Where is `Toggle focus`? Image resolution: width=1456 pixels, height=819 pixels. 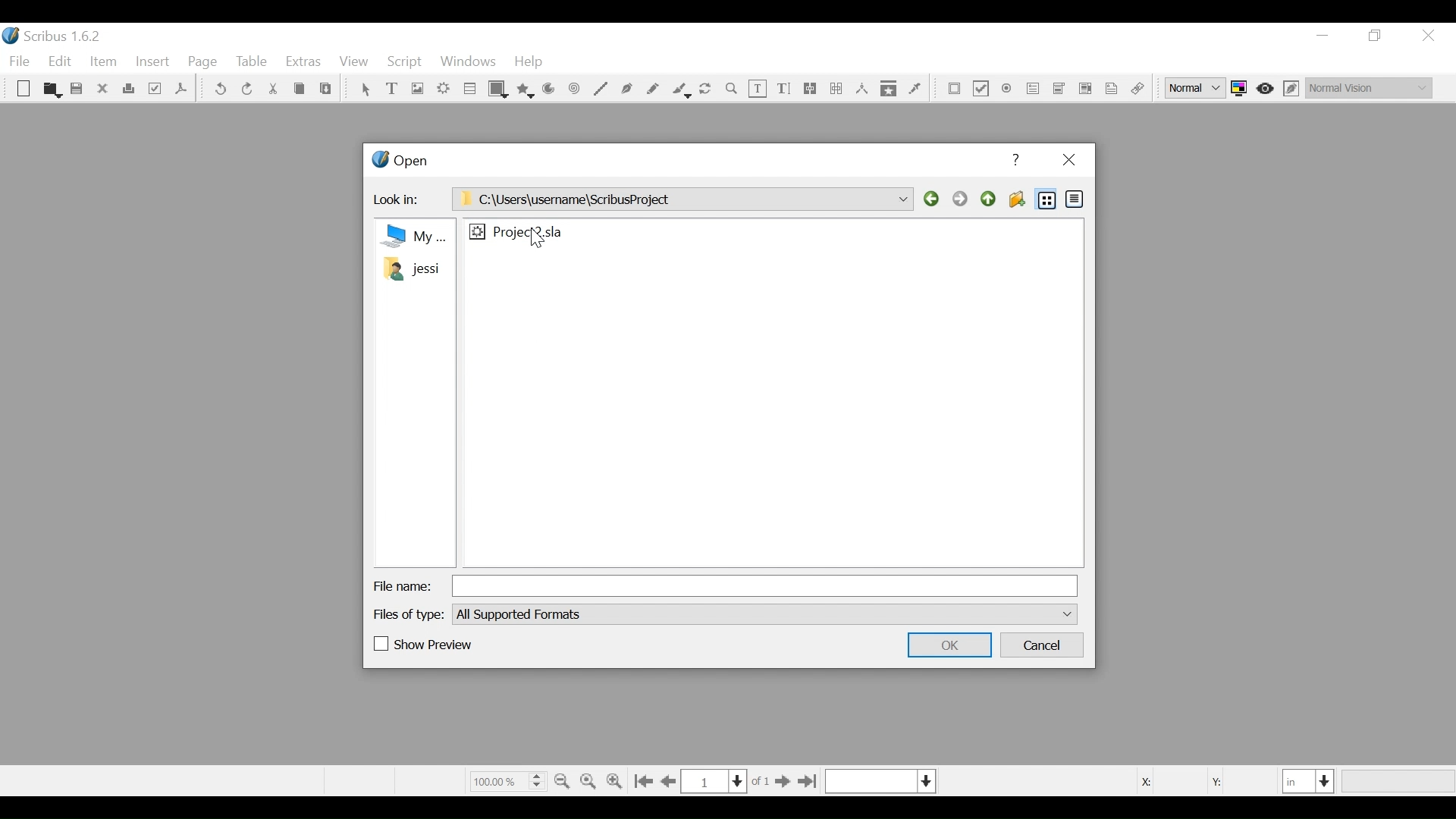
Toggle focus is located at coordinates (1266, 88).